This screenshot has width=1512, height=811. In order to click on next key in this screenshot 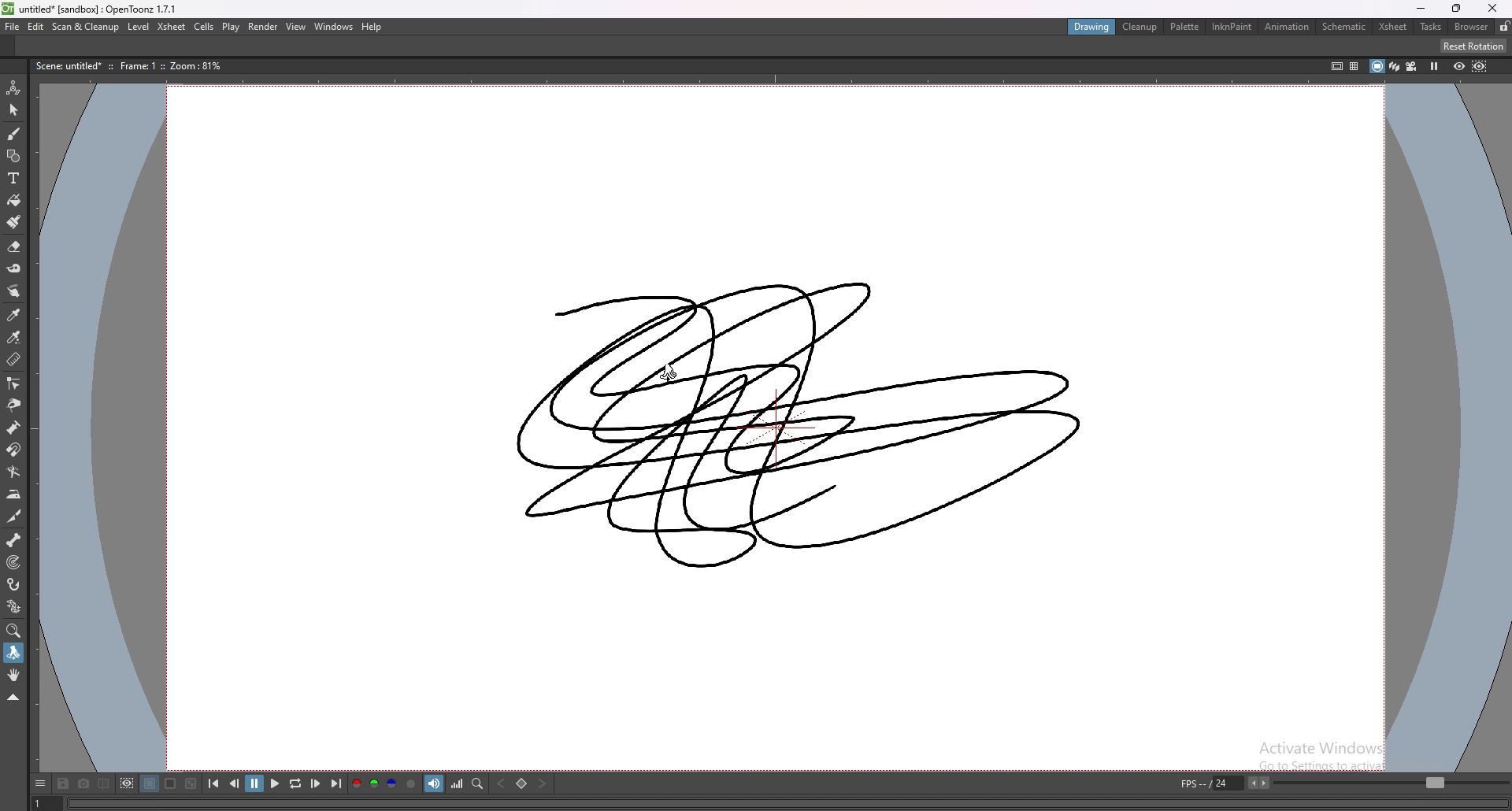, I will do `click(541, 783)`.